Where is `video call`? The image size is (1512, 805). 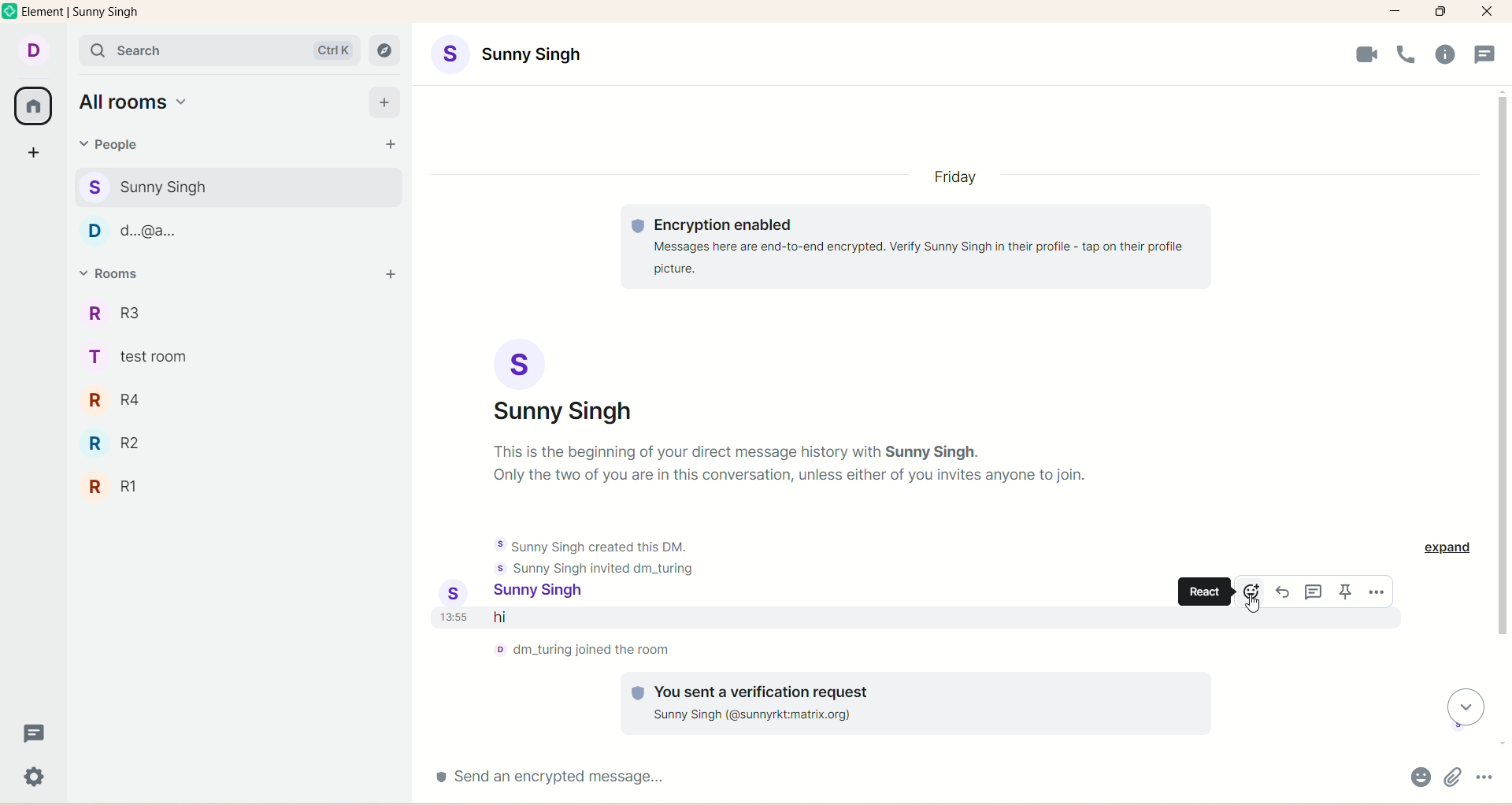 video call is located at coordinates (1368, 54).